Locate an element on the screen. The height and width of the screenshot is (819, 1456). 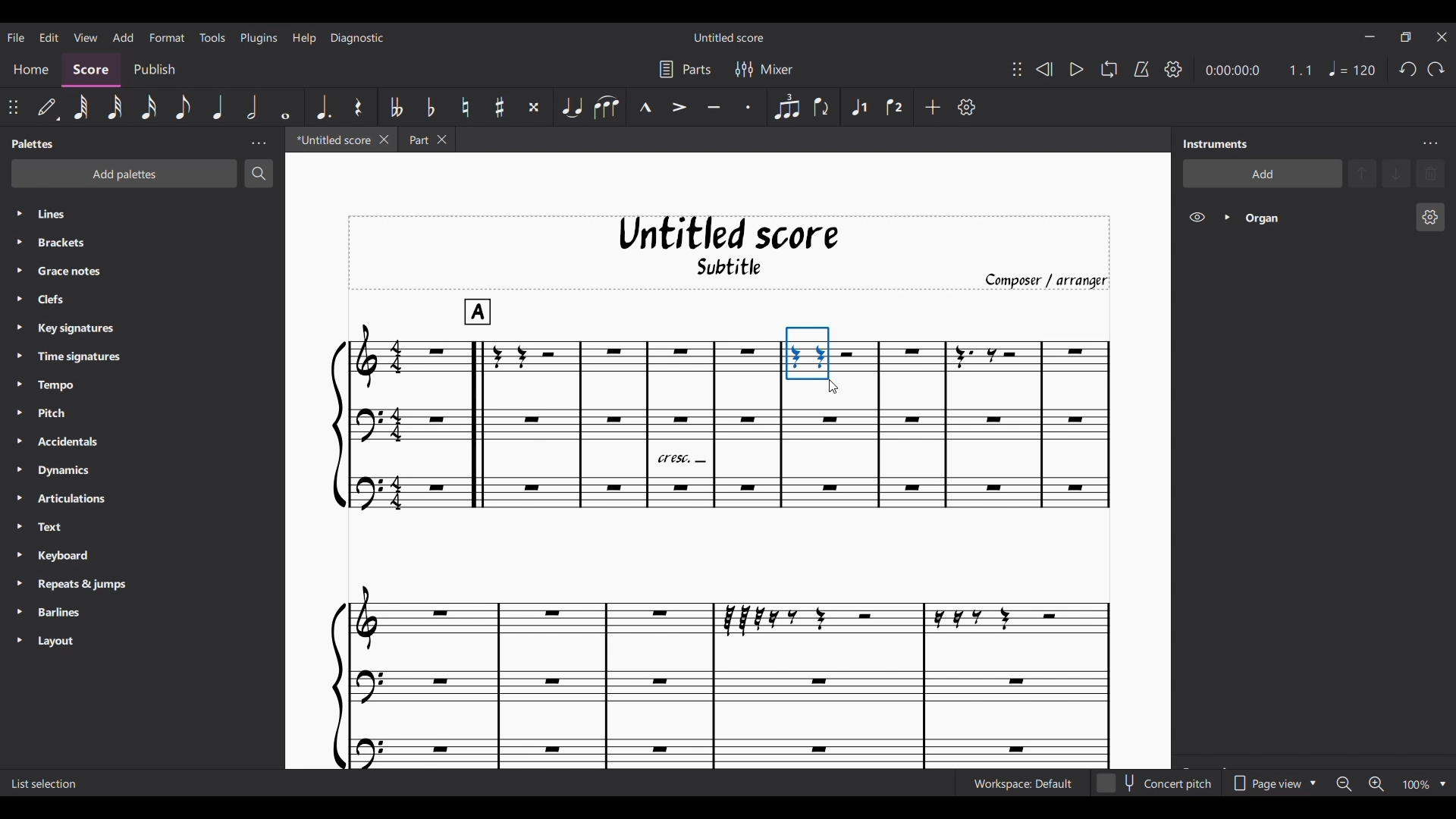
Home section is located at coordinates (31, 68).